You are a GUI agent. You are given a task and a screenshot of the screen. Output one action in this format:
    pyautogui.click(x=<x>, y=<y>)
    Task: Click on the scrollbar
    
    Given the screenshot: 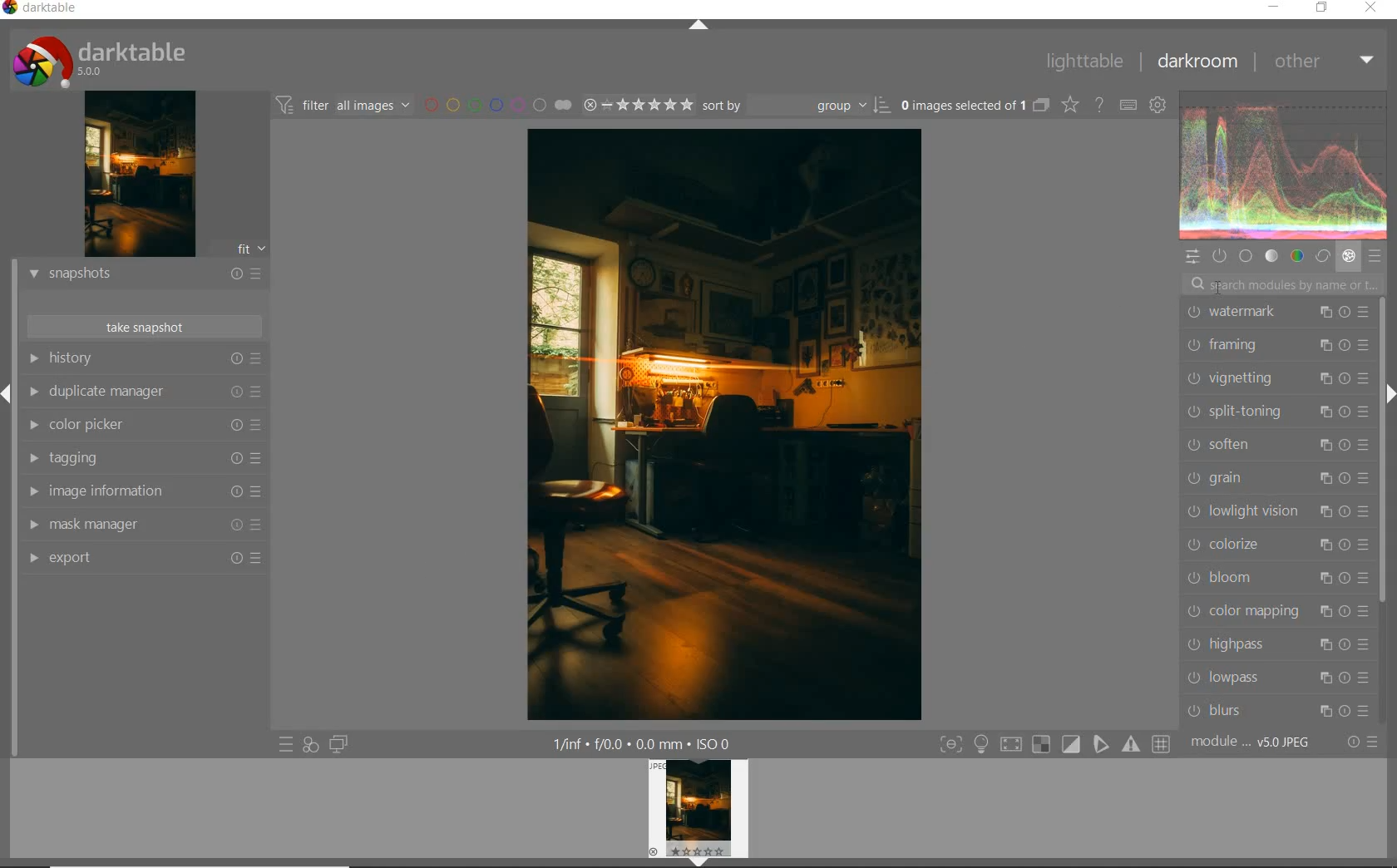 What is the action you would take?
    pyautogui.click(x=1382, y=451)
    